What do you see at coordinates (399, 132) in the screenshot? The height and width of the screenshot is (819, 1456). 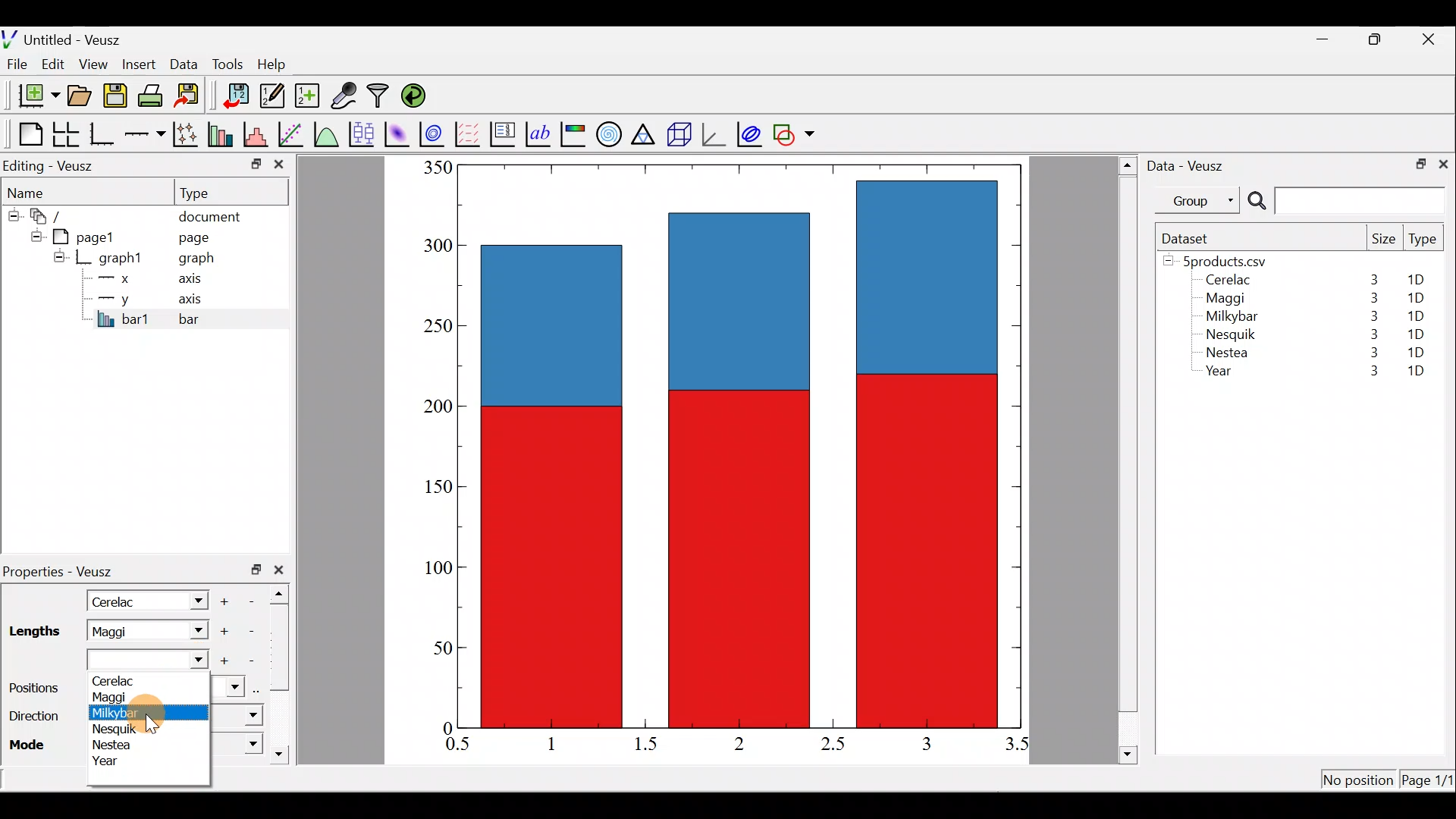 I see `Plot a 2d dataset as an image` at bounding box center [399, 132].